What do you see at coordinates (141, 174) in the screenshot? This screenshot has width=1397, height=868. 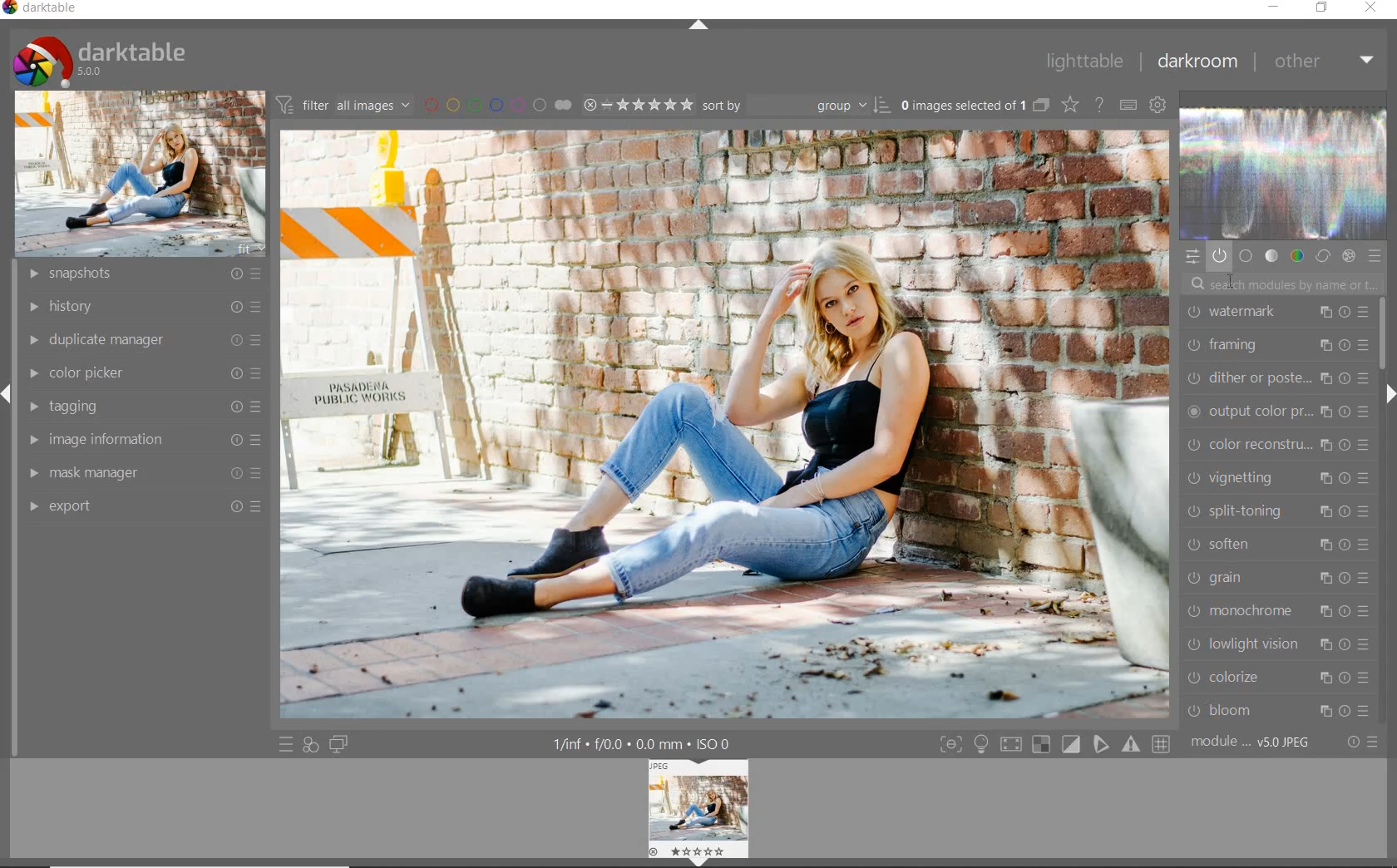 I see `image` at bounding box center [141, 174].